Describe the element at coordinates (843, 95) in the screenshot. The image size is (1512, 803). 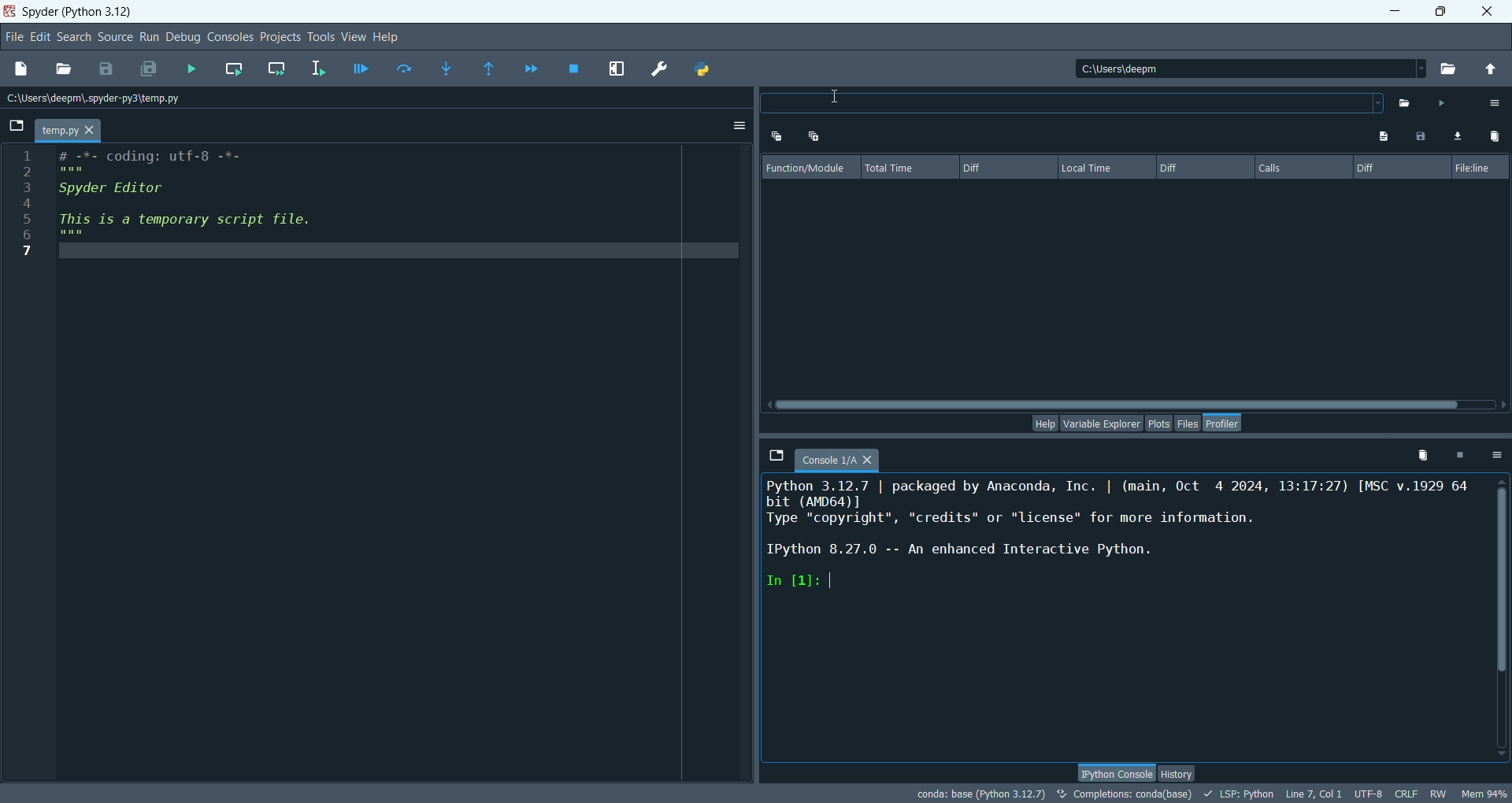
I see `cursor` at that location.